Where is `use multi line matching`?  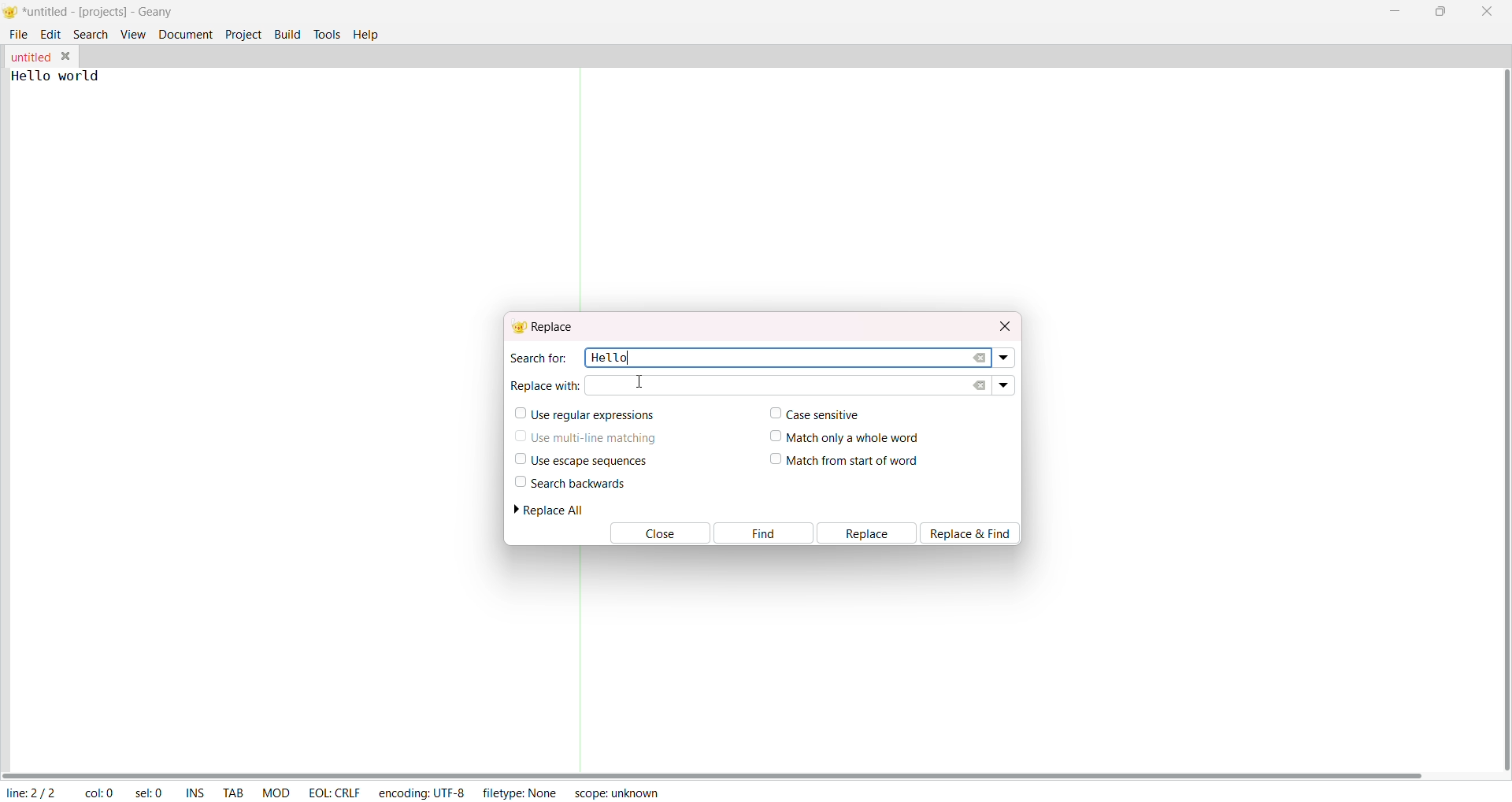
use multi line matching is located at coordinates (587, 435).